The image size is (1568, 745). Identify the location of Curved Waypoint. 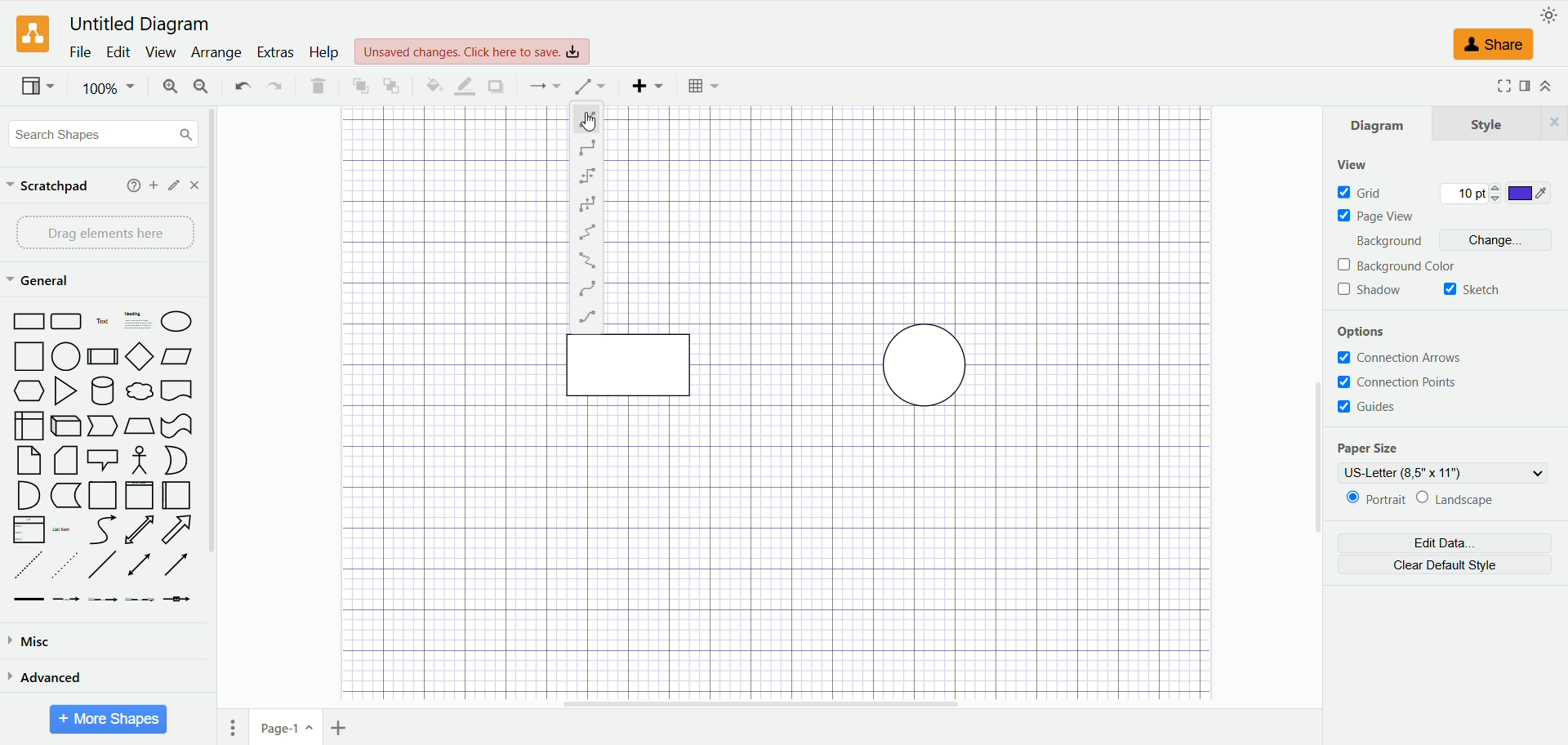
(588, 288).